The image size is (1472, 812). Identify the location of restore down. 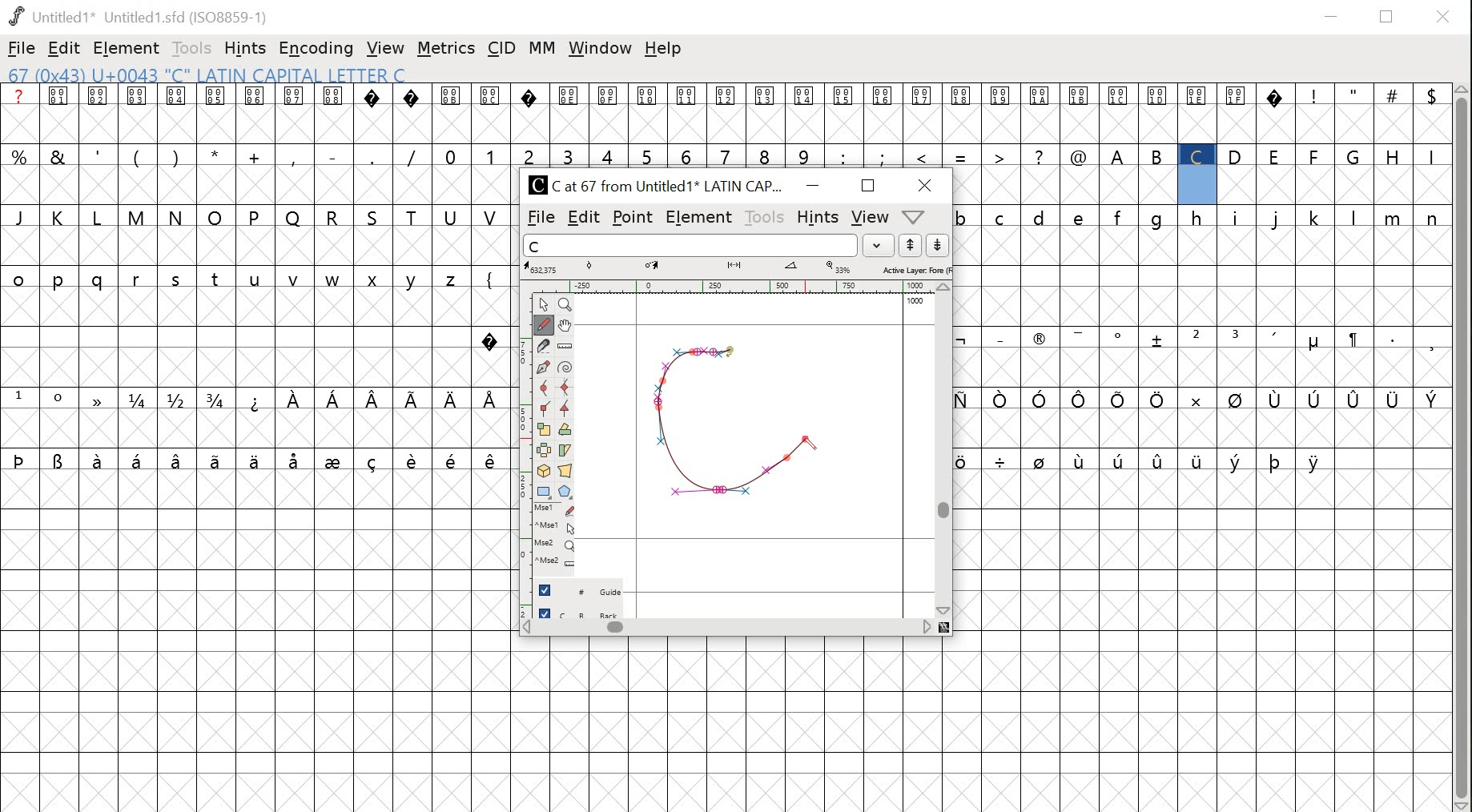
(1388, 16).